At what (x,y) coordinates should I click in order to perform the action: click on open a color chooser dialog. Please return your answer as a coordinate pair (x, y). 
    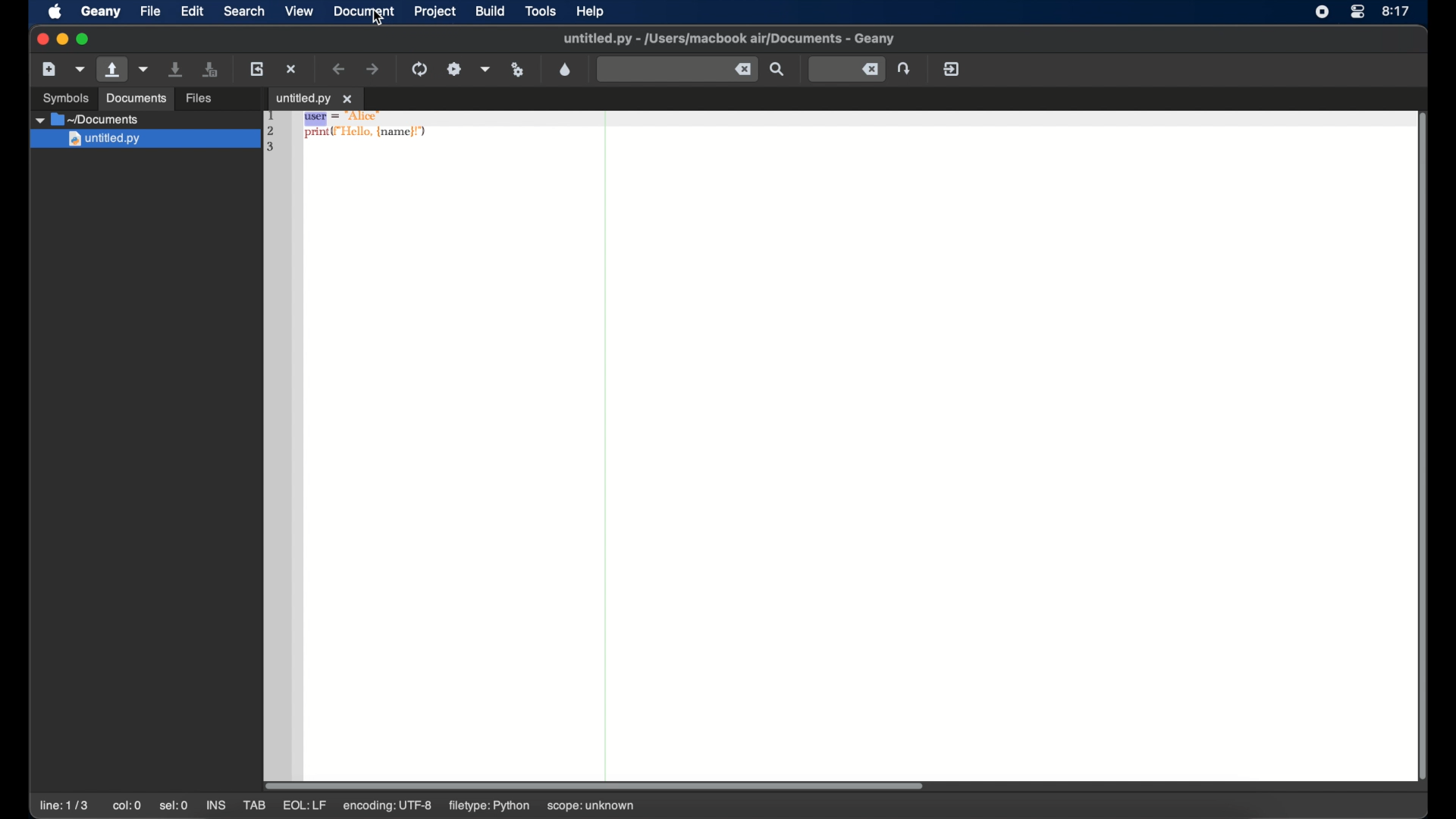
    Looking at the image, I should click on (566, 70).